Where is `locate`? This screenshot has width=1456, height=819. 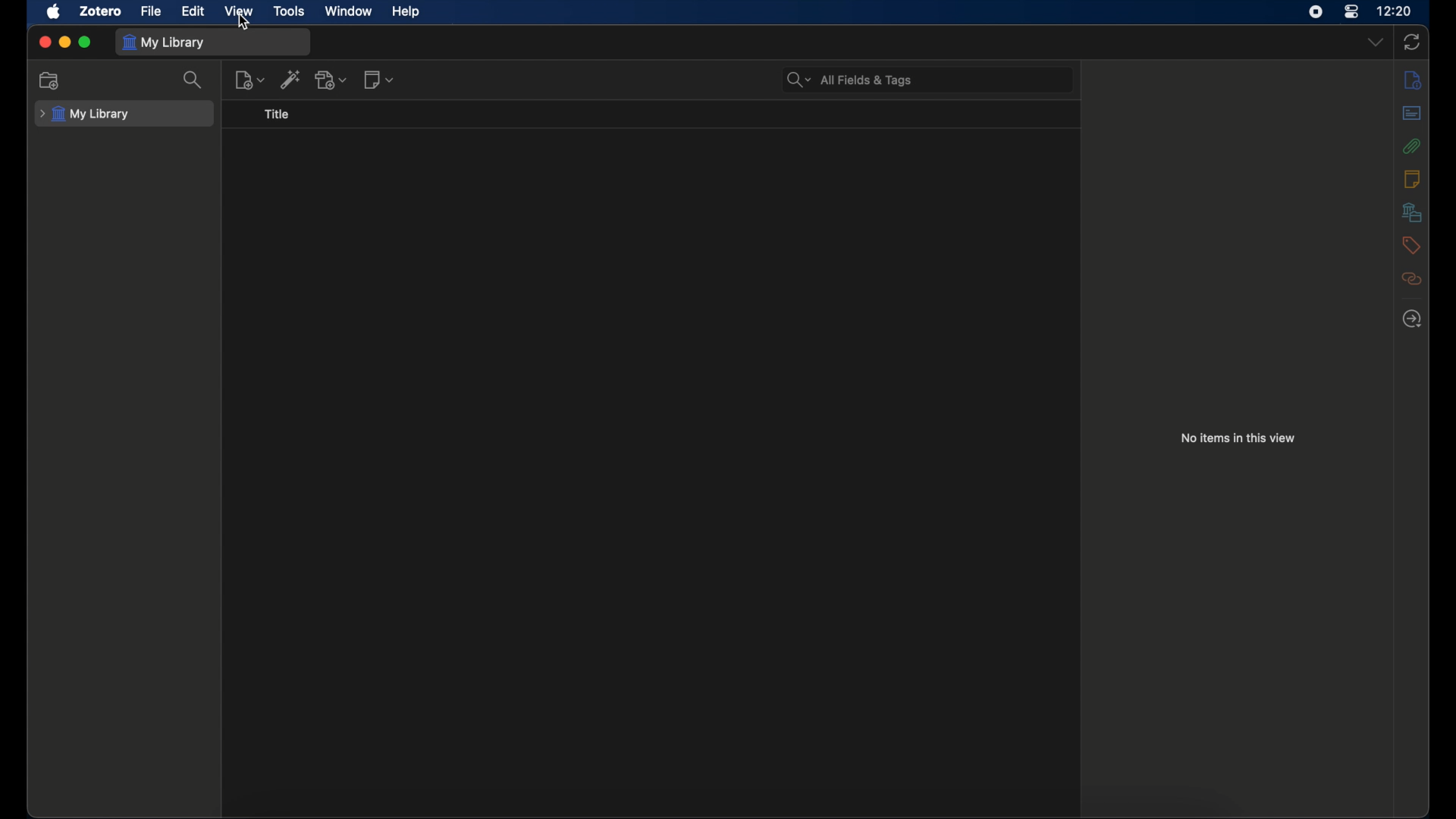 locate is located at coordinates (1412, 318).